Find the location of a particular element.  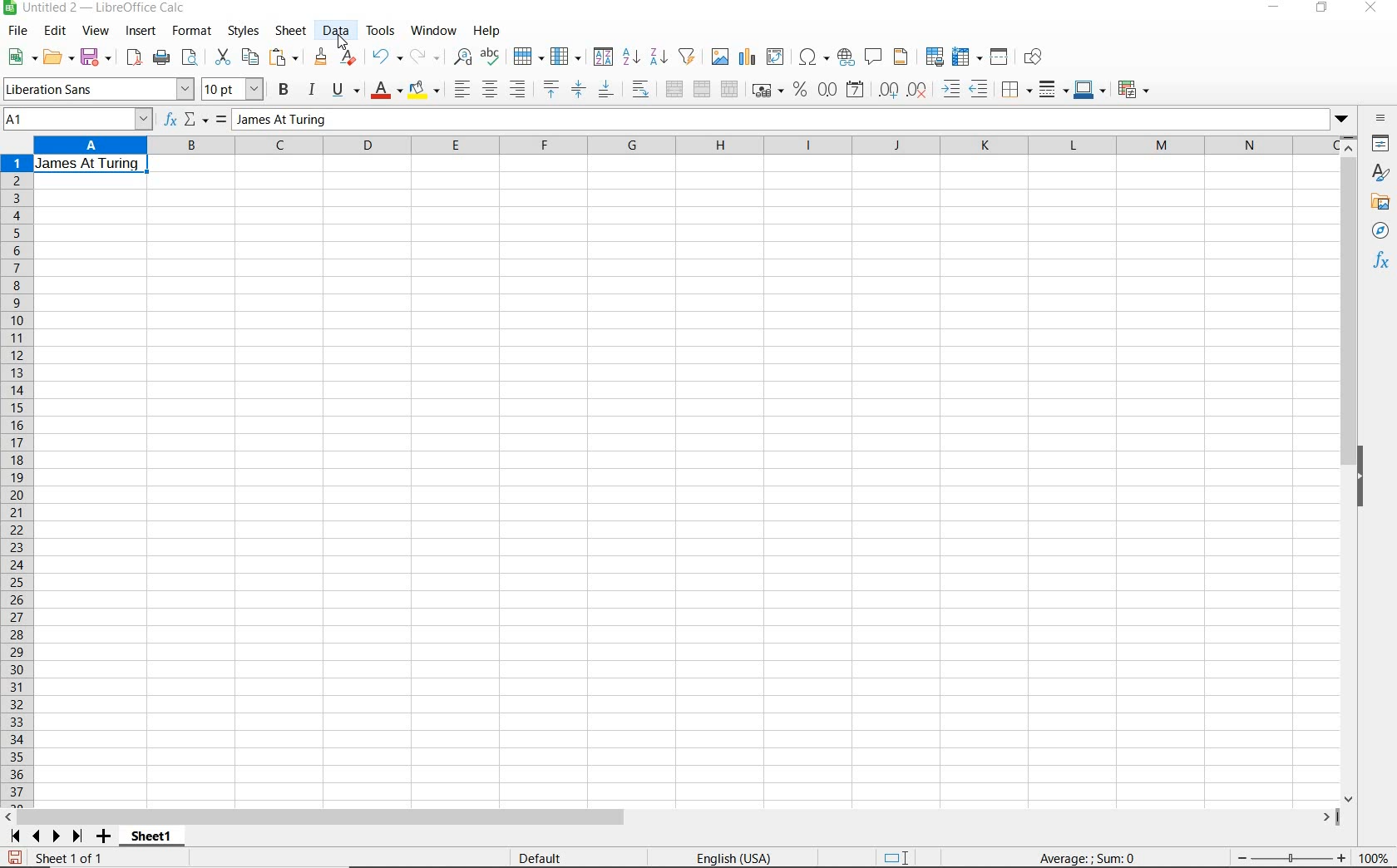

font color dark is located at coordinates (388, 90).